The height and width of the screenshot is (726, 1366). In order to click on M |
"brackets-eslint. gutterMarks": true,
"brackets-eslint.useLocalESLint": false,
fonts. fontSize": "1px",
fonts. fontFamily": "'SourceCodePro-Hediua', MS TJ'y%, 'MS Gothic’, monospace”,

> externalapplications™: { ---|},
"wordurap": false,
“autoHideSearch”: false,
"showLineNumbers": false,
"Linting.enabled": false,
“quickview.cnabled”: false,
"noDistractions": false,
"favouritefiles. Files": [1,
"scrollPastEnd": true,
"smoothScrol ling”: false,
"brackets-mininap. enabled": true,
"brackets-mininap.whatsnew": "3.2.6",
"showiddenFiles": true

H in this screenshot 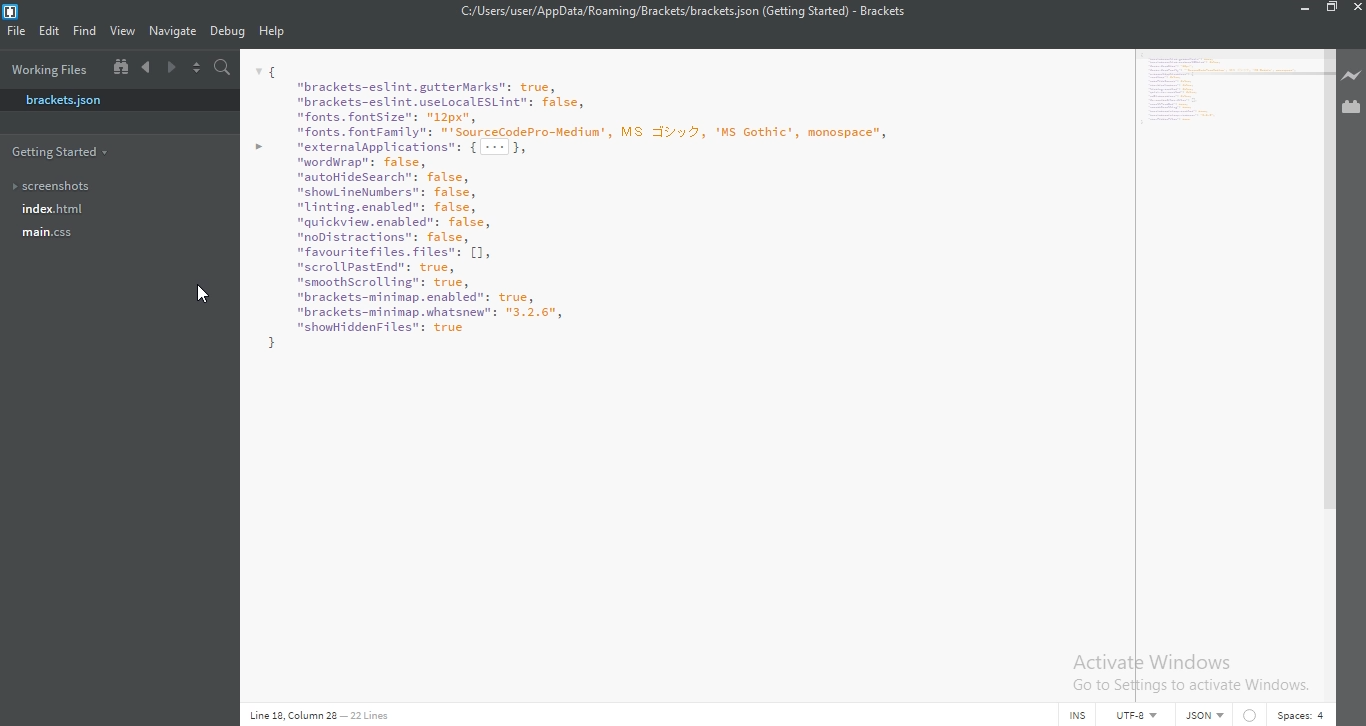, I will do `click(682, 202)`.